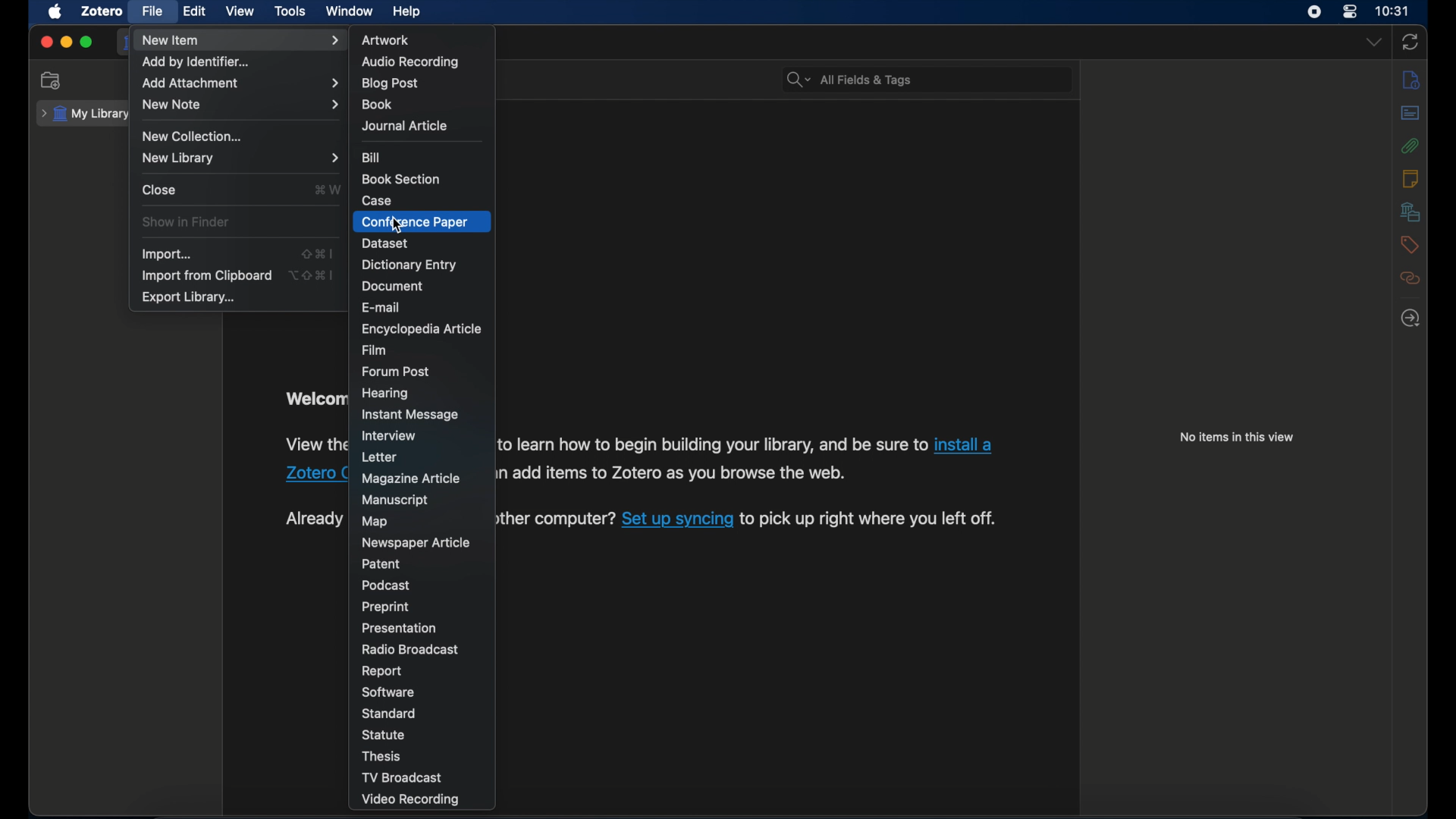  I want to click on report, so click(381, 670).